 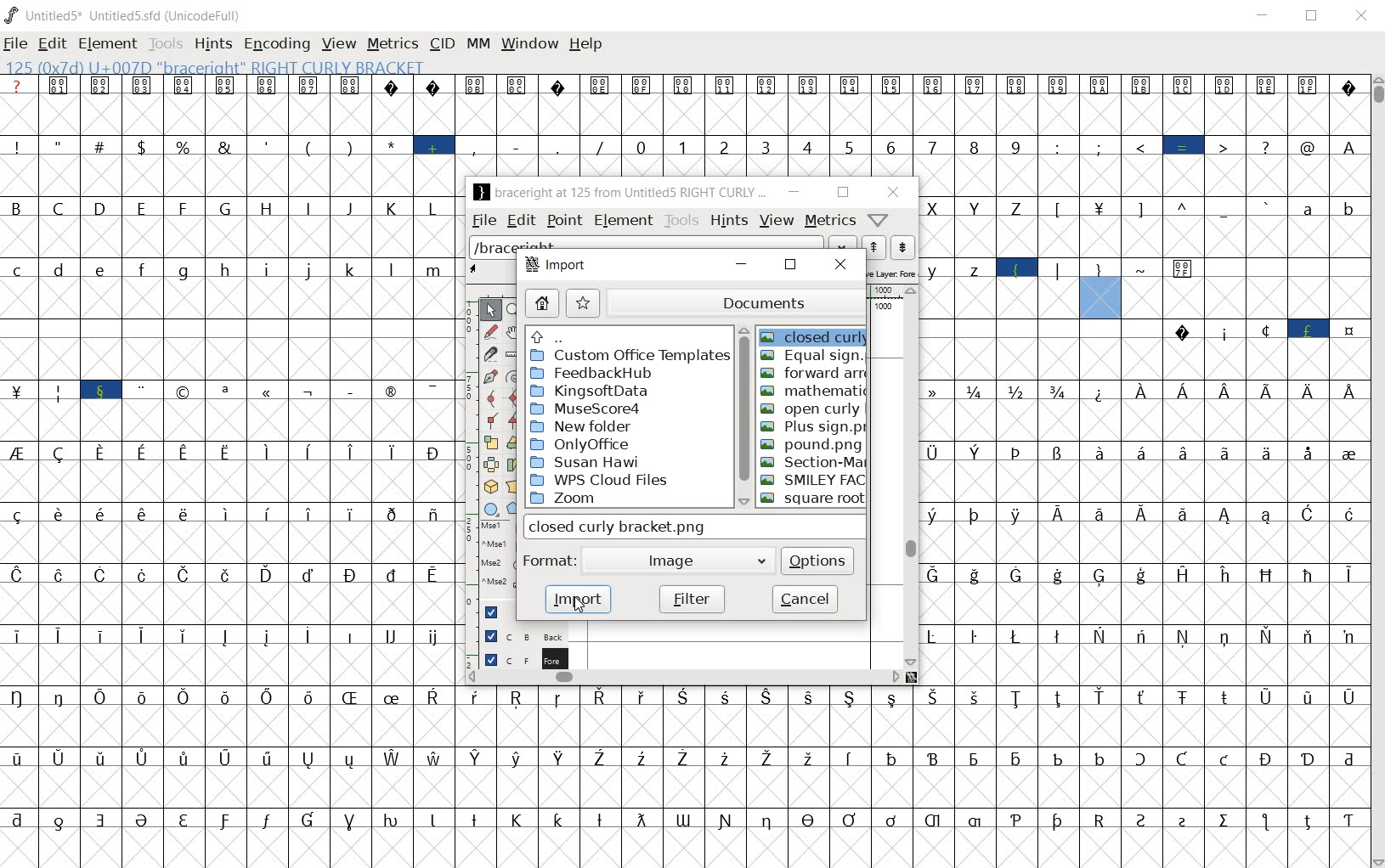 What do you see at coordinates (872, 247) in the screenshot?
I see `show the next word on the list` at bounding box center [872, 247].